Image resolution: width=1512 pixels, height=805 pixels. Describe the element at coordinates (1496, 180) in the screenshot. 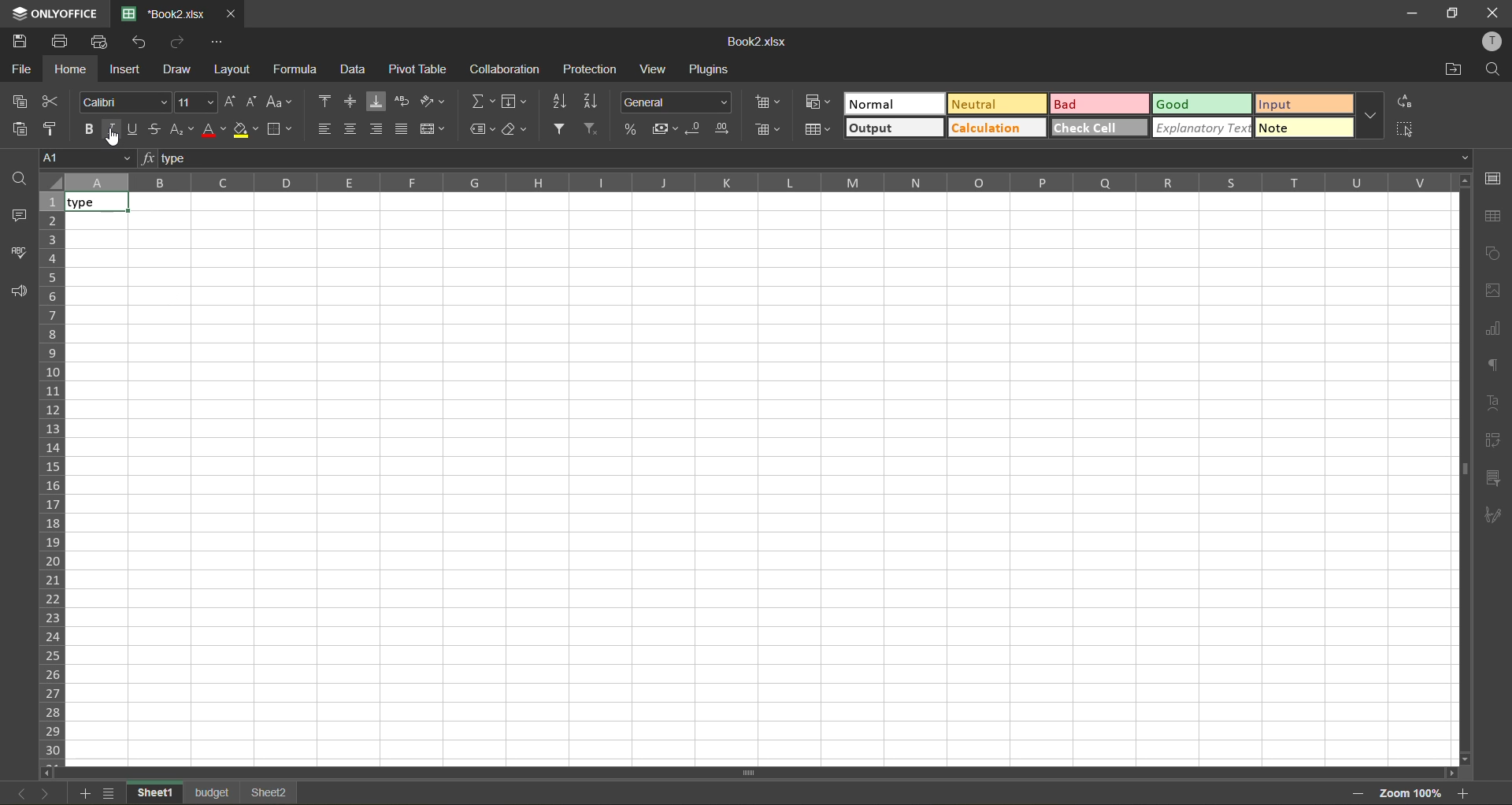

I see `cell settings` at that location.